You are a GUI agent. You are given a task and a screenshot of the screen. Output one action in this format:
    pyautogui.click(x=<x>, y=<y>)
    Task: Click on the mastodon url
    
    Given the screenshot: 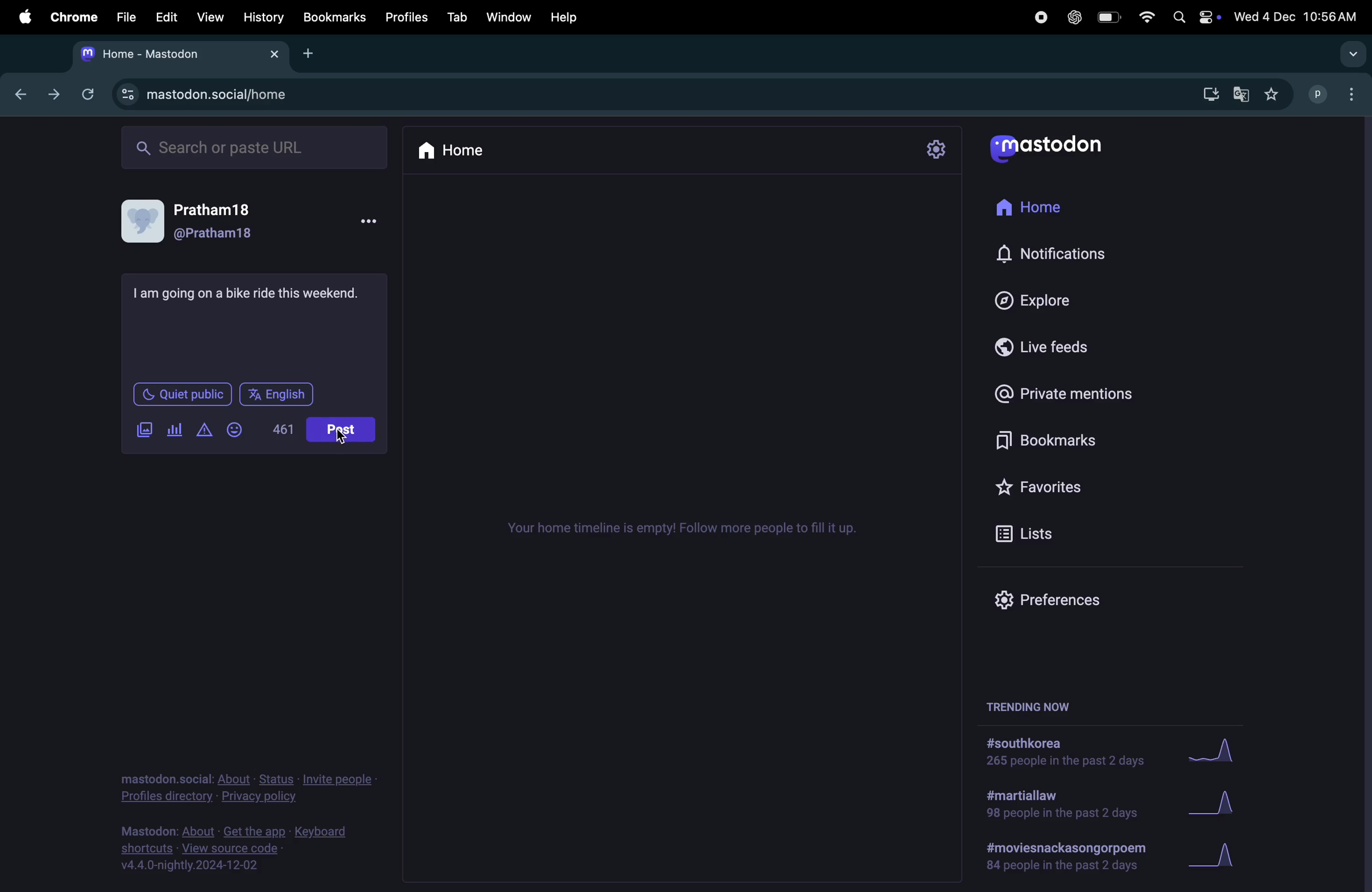 What is the action you would take?
    pyautogui.click(x=216, y=95)
    